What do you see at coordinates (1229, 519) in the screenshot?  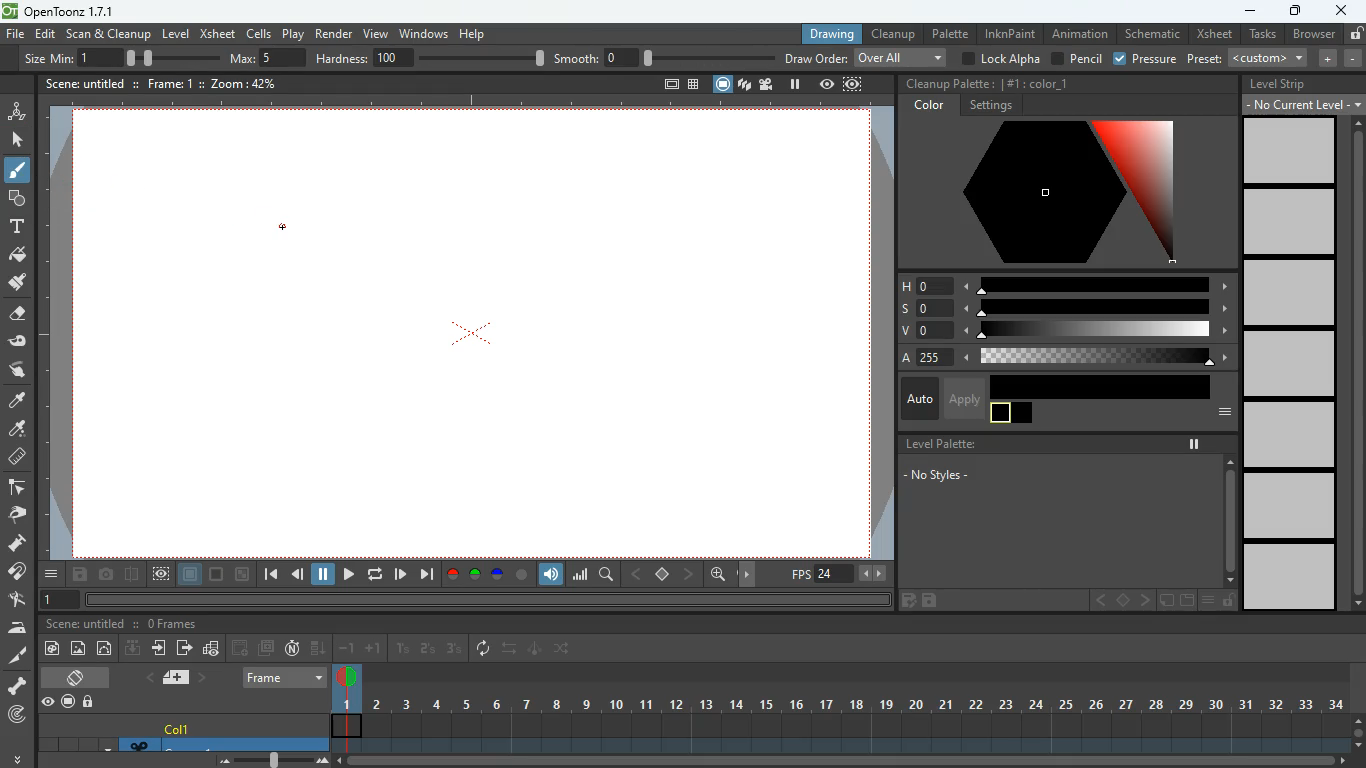 I see `scroll` at bounding box center [1229, 519].